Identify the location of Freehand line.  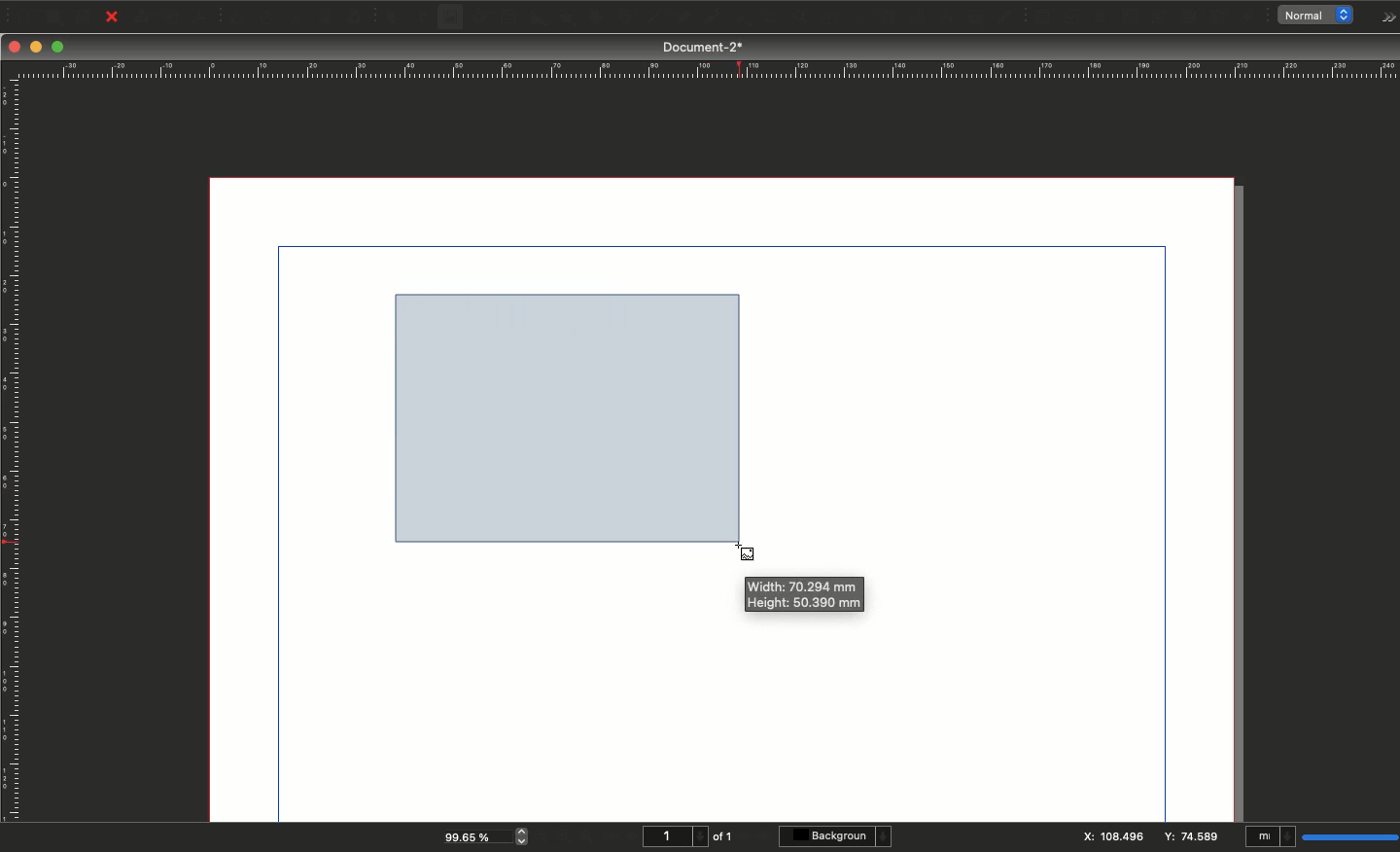
(708, 18).